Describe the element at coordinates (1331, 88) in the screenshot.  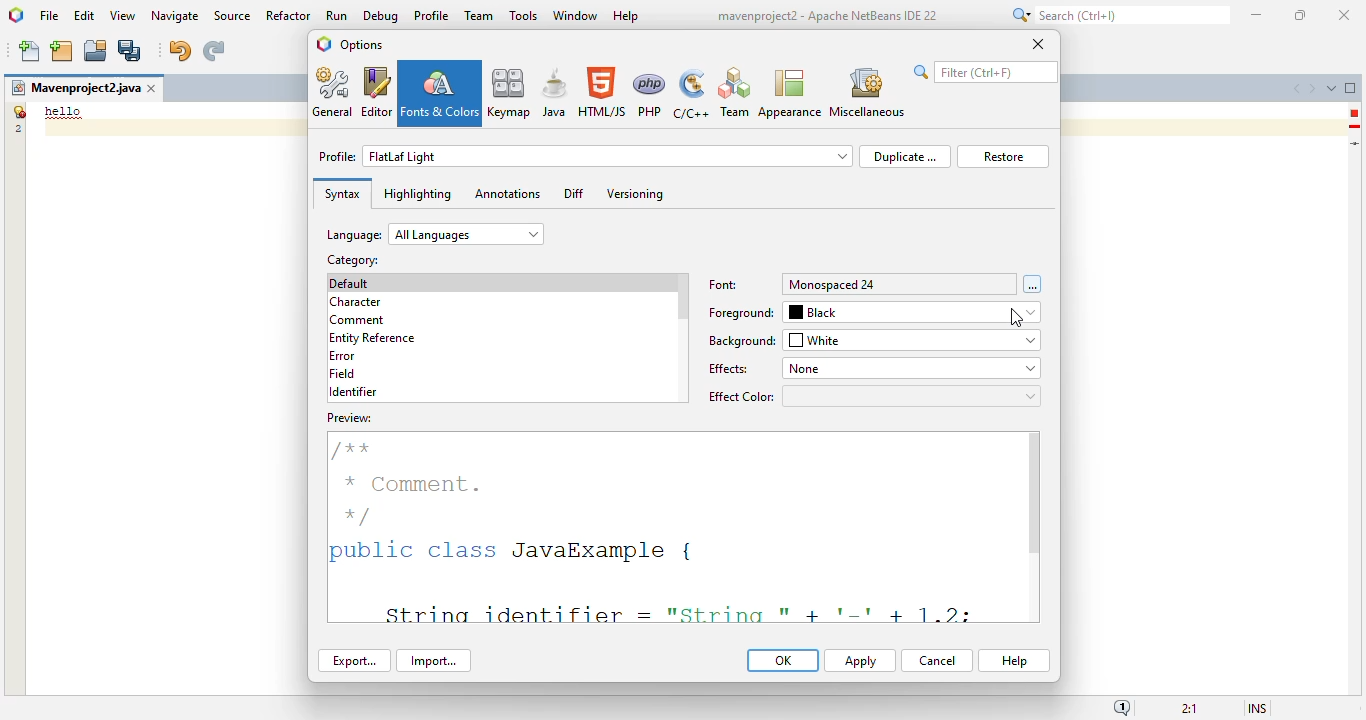
I see `show opened documents list` at that location.